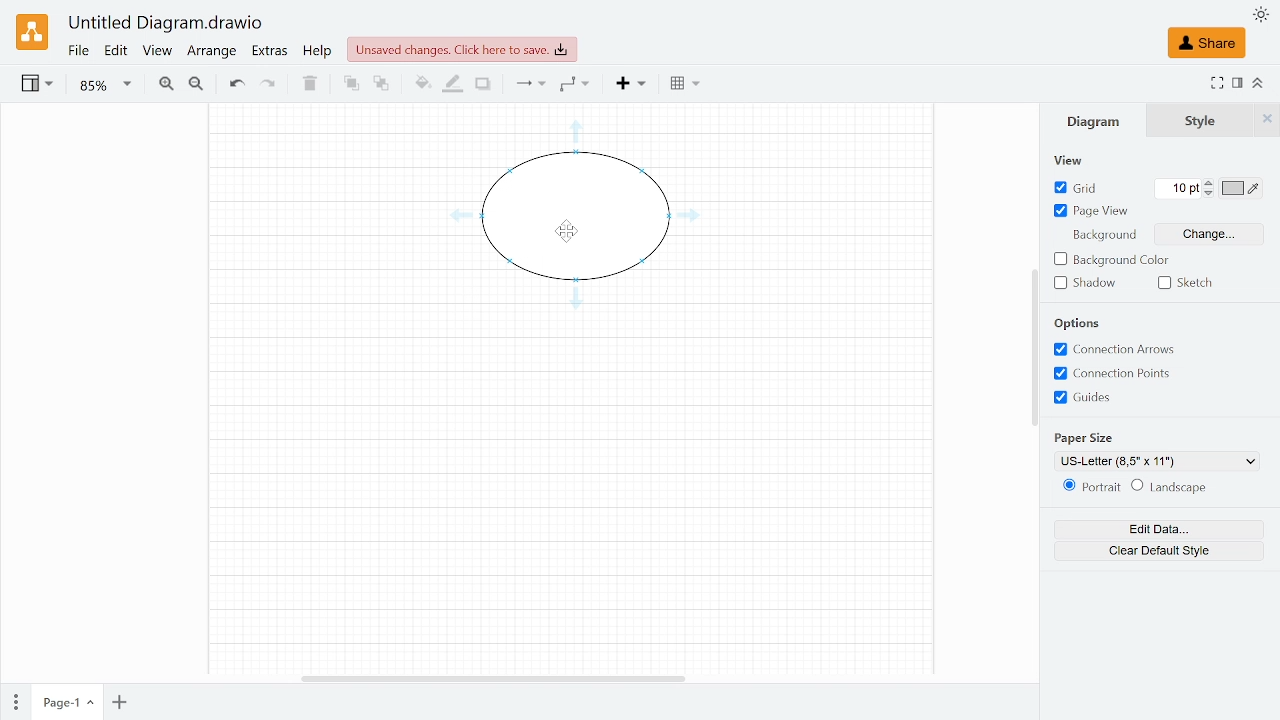  What do you see at coordinates (1156, 460) in the screenshot?
I see `Current paper size(US-Letter(8,5*11)` at bounding box center [1156, 460].